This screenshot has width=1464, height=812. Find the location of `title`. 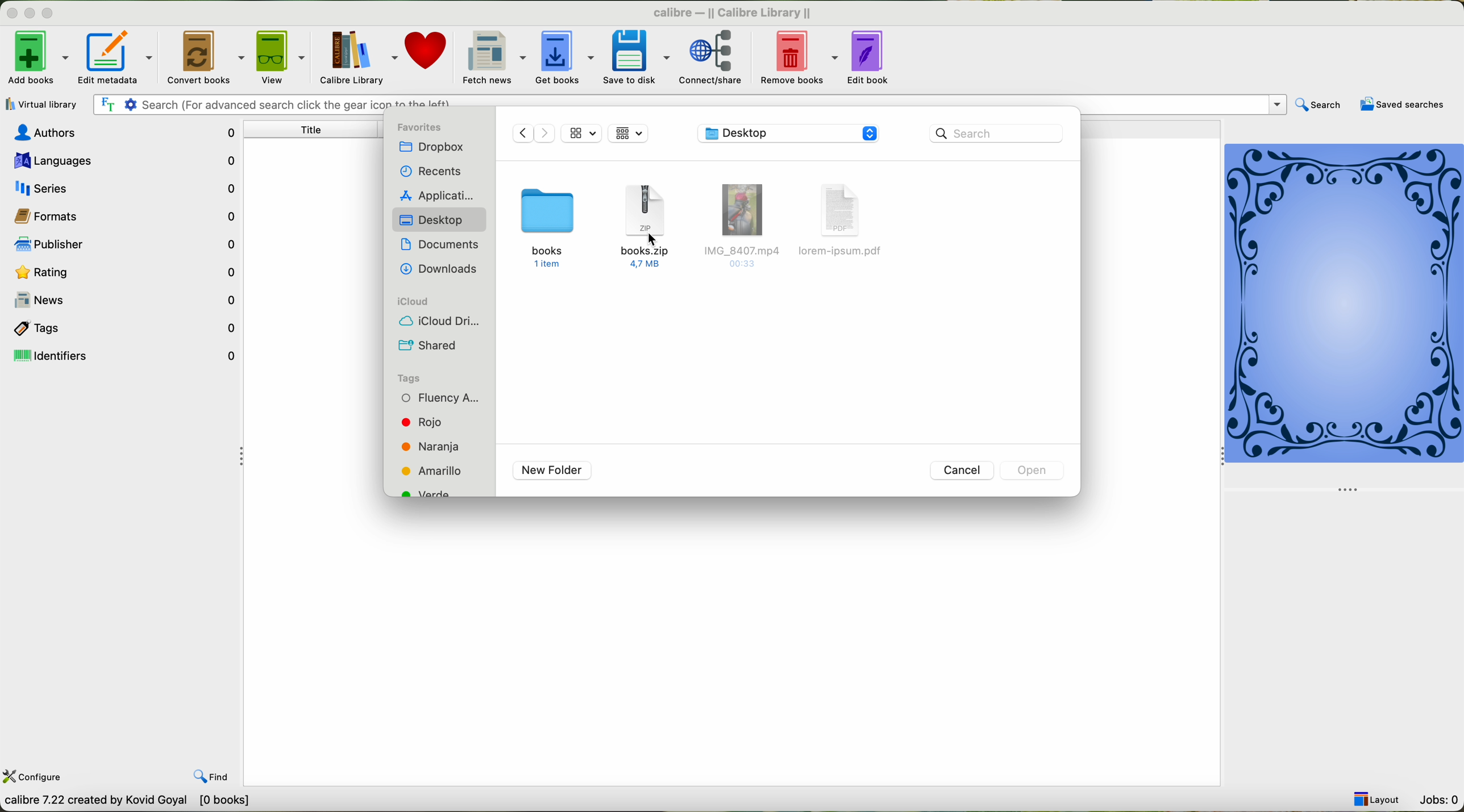

title is located at coordinates (315, 131).